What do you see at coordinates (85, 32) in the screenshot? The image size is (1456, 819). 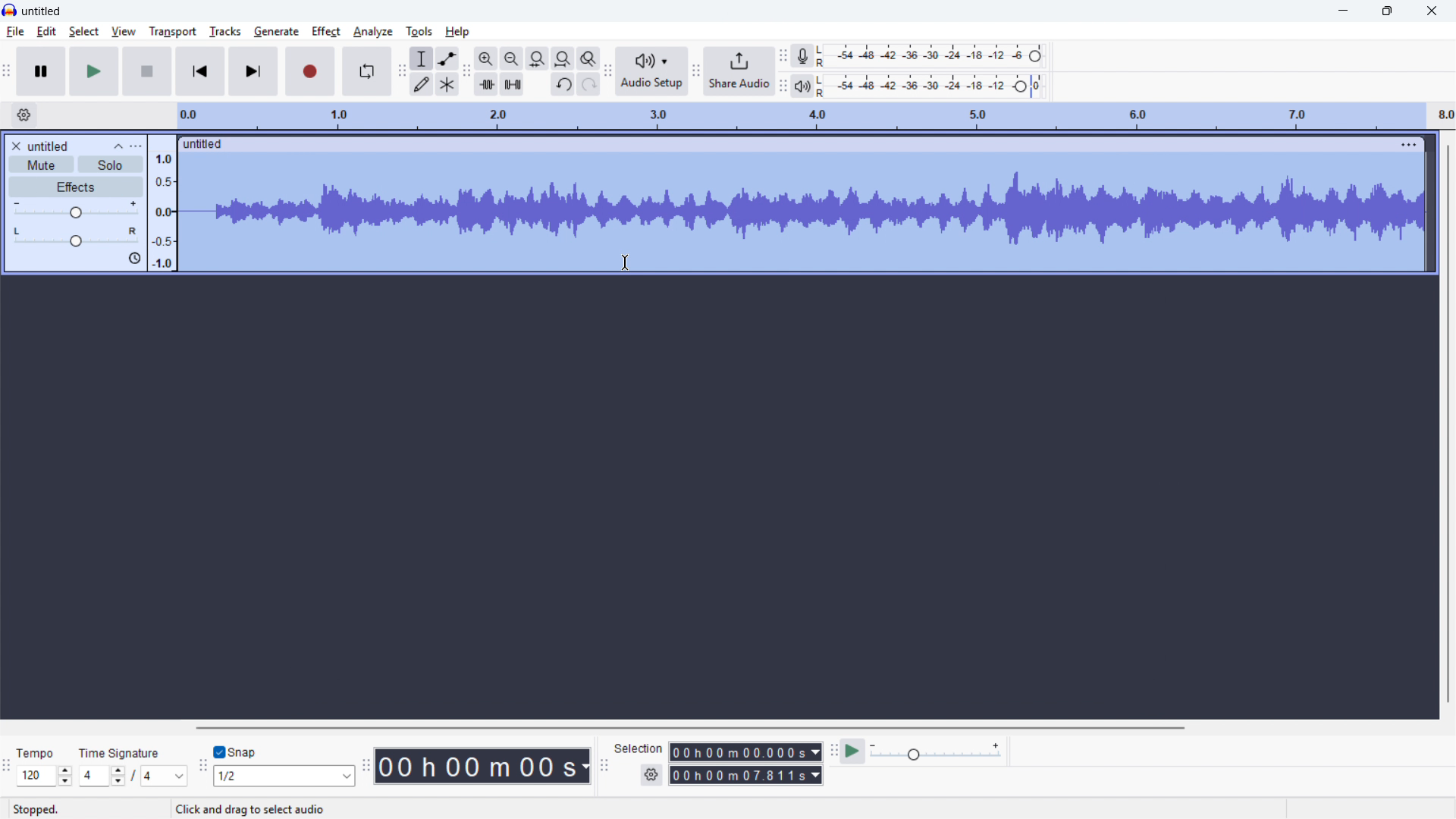 I see `select` at bounding box center [85, 32].